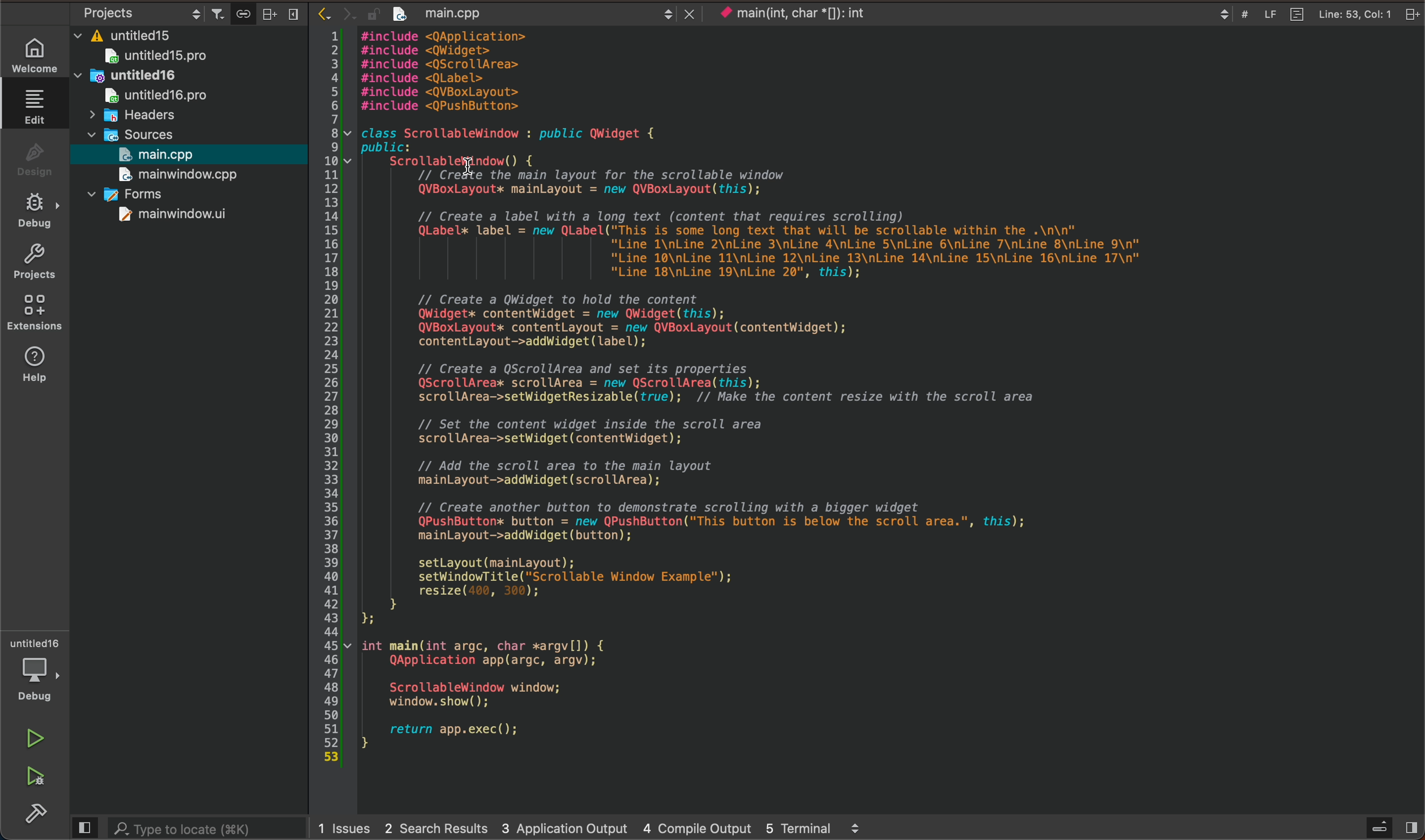 Image resolution: width=1425 pixels, height=840 pixels. Describe the element at coordinates (296, 15) in the screenshot. I see `close` at that location.